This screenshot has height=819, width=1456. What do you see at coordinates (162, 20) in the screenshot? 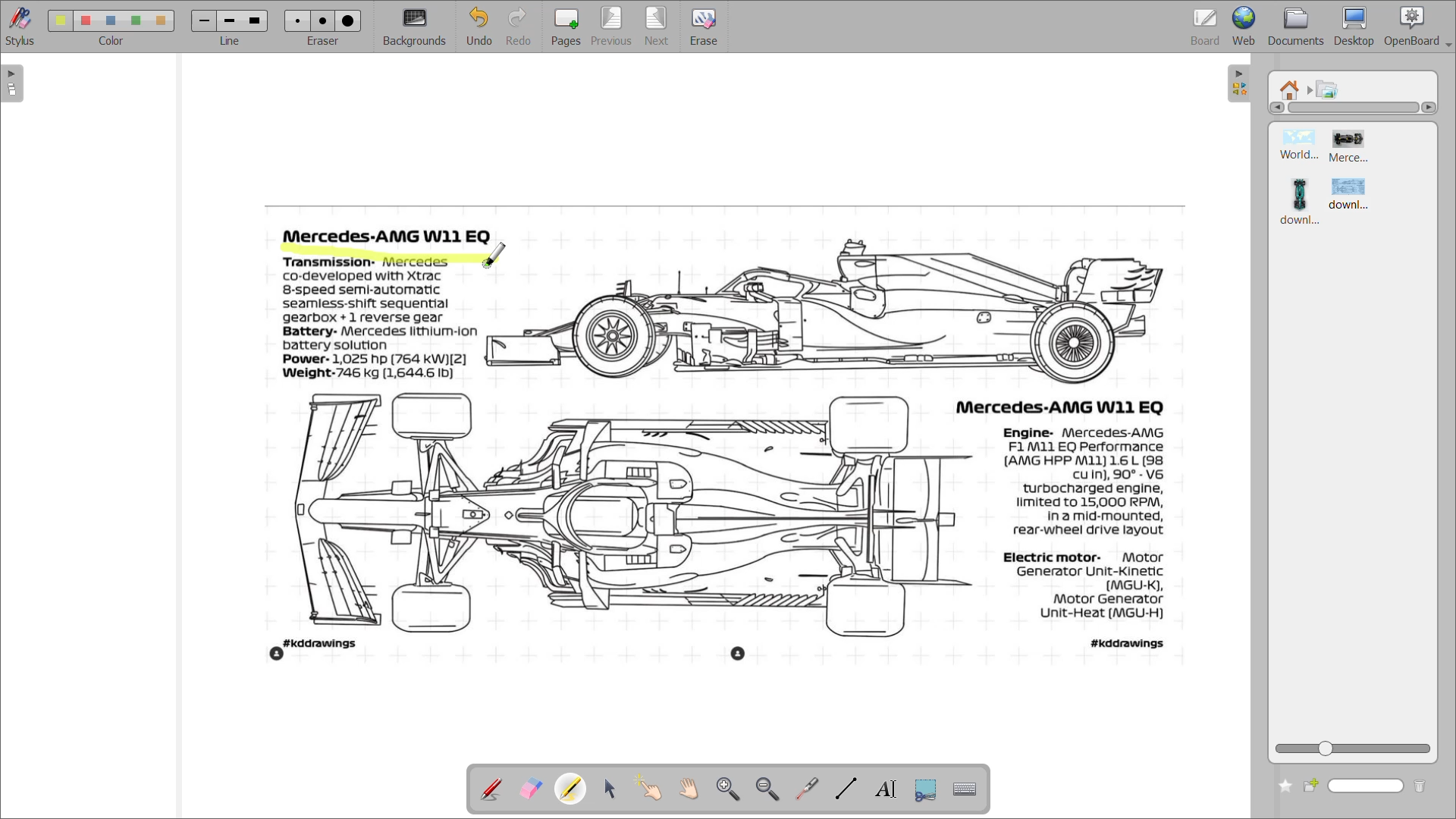
I see `color 5` at bounding box center [162, 20].